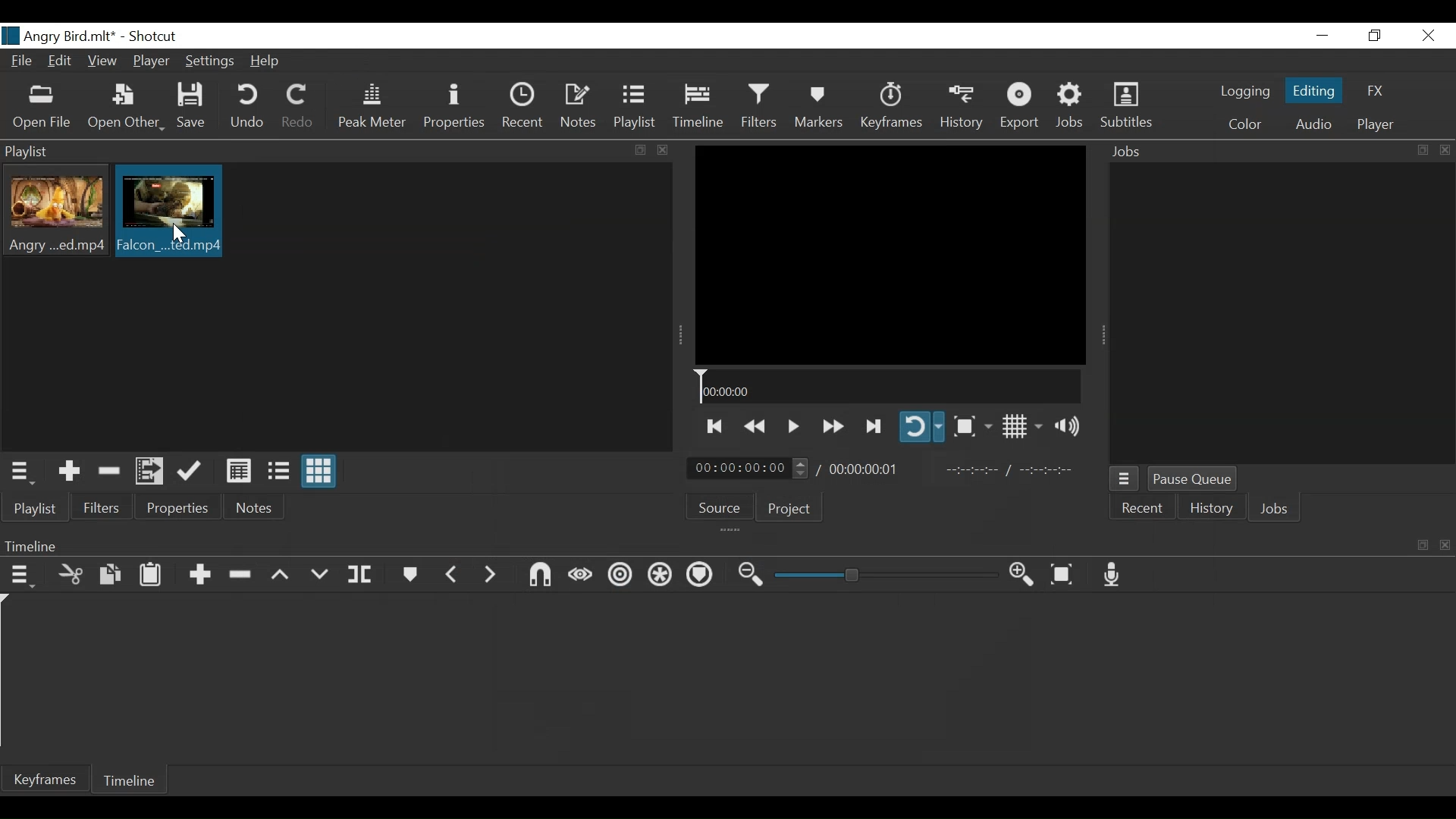 The width and height of the screenshot is (1456, 819). What do you see at coordinates (664, 150) in the screenshot?
I see `close` at bounding box center [664, 150].